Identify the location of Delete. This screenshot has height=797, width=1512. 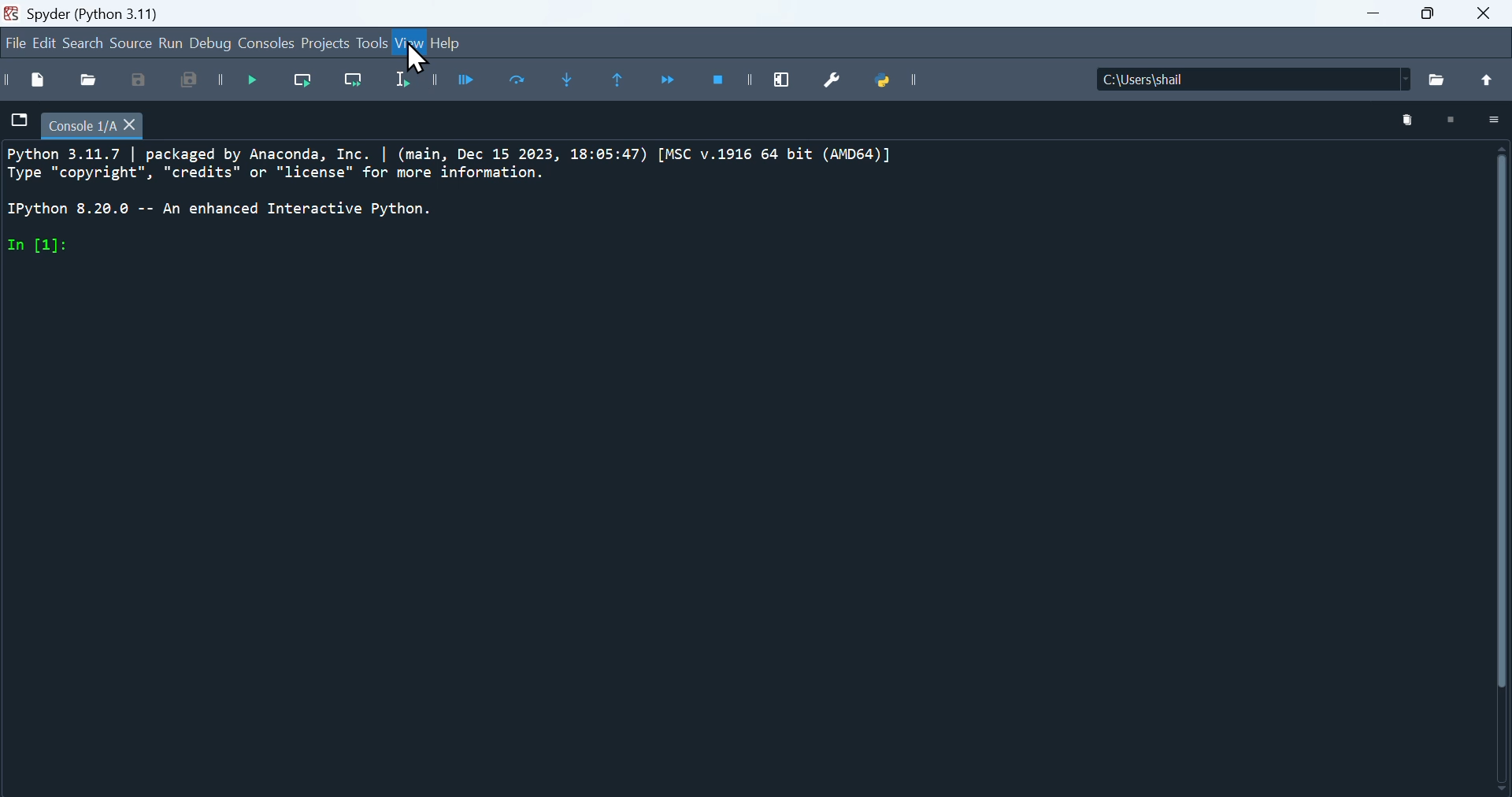
(1409, 120).